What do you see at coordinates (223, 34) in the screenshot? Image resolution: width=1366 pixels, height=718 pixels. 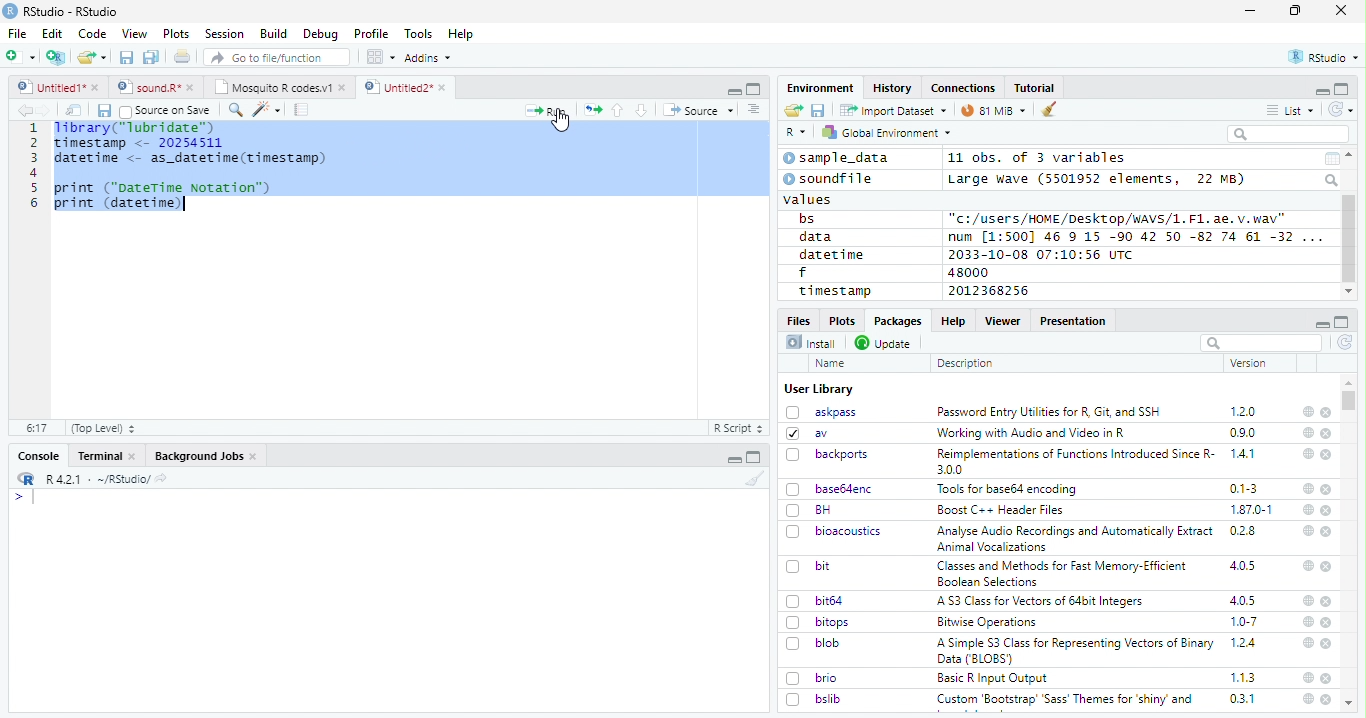 I see `Session` at bounding box center [223, 34].